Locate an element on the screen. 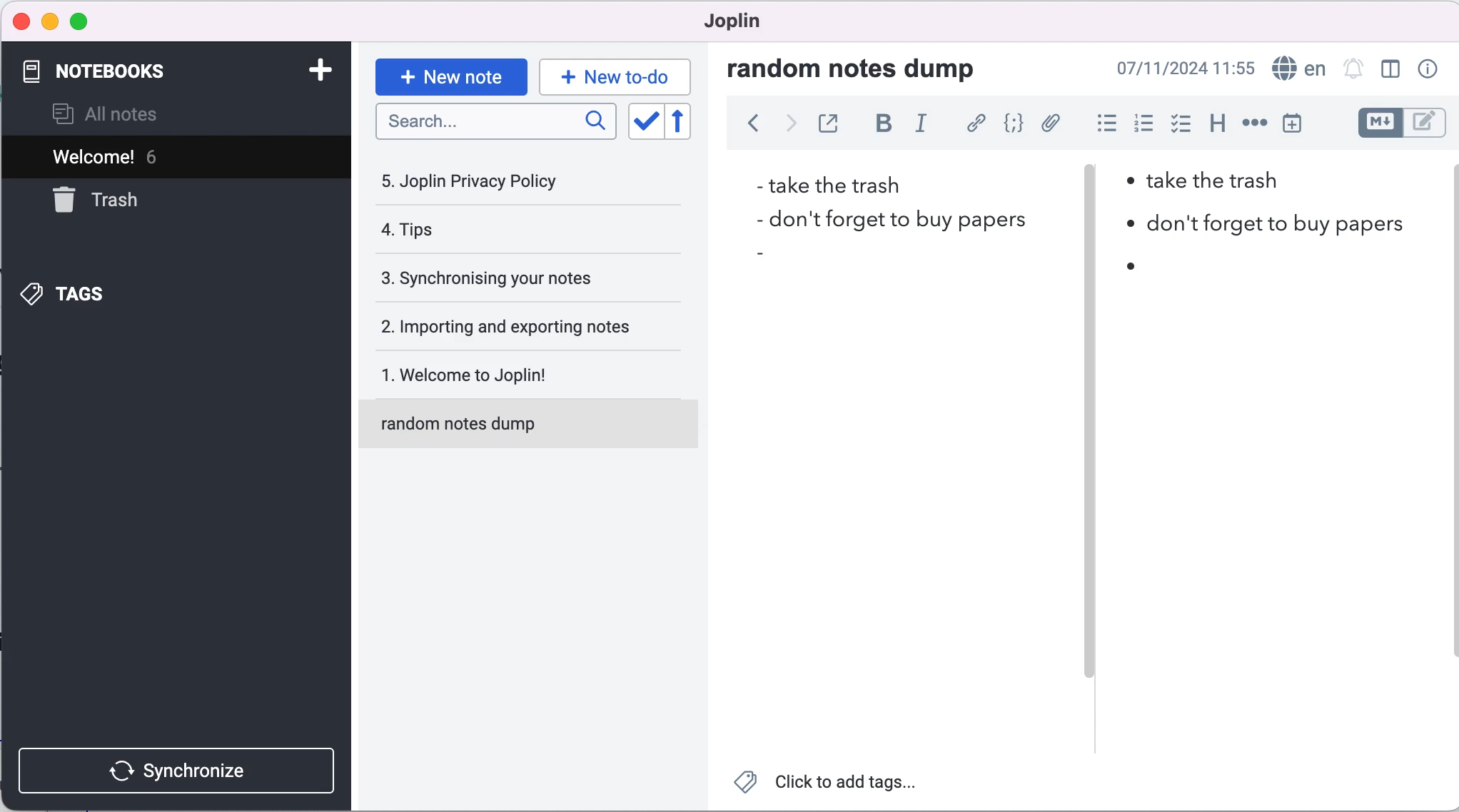 The height and width of the screenshot is (812, 1459). code is located at coordinates (1010, 125).